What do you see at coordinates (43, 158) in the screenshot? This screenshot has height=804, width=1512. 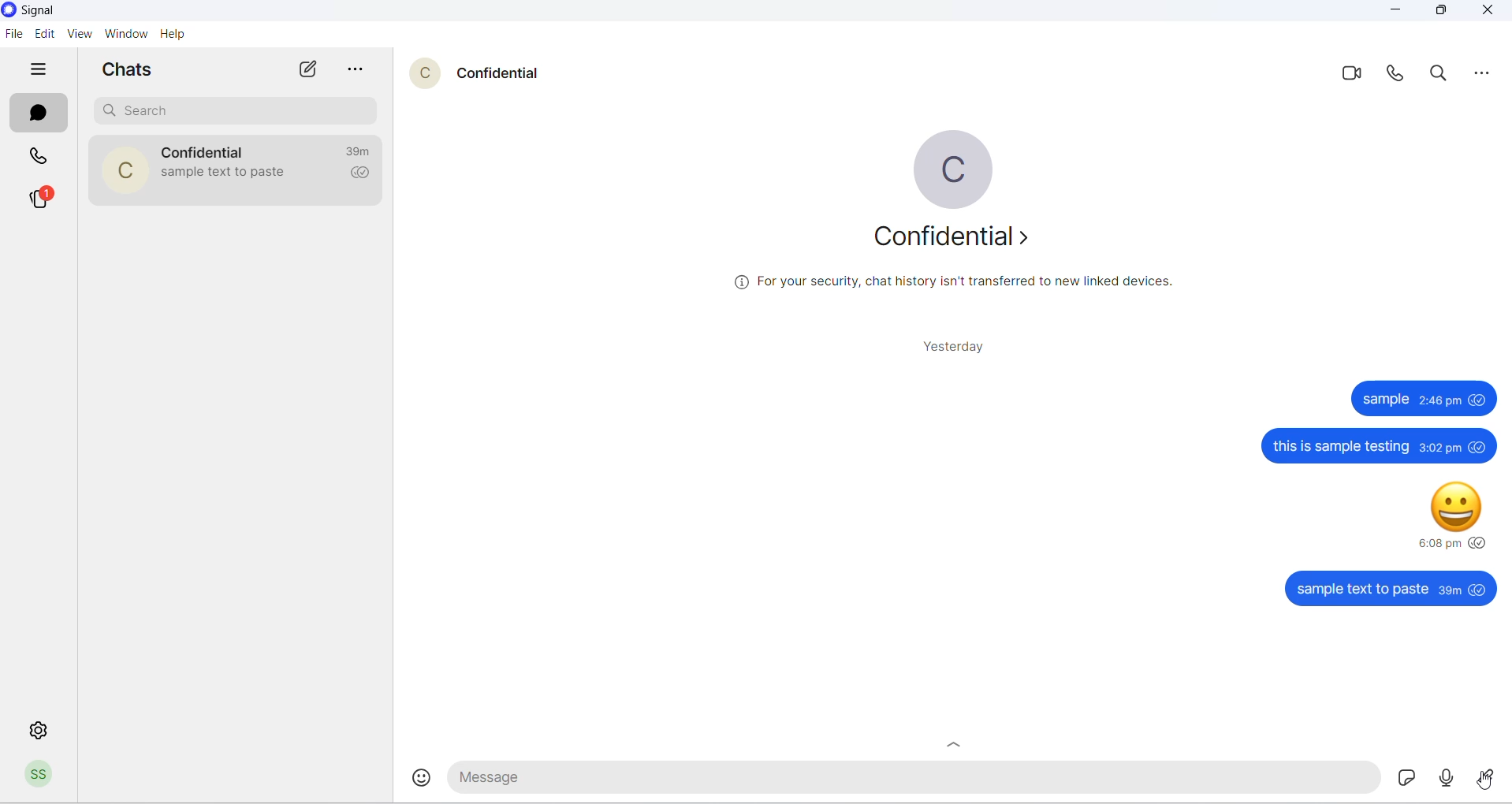 I see `calls` at bounding box center [43, 158].